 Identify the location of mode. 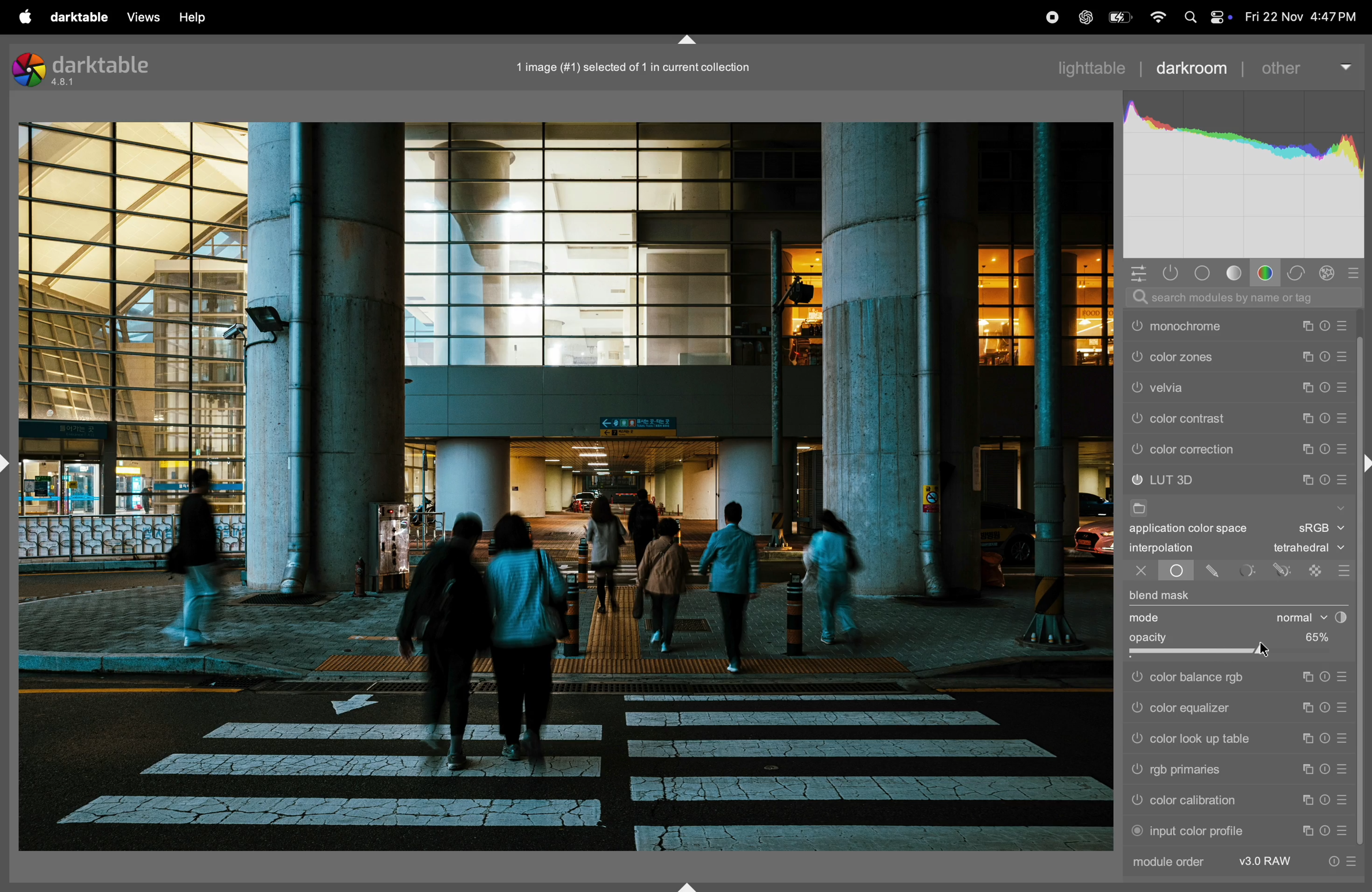
(1146, 619).